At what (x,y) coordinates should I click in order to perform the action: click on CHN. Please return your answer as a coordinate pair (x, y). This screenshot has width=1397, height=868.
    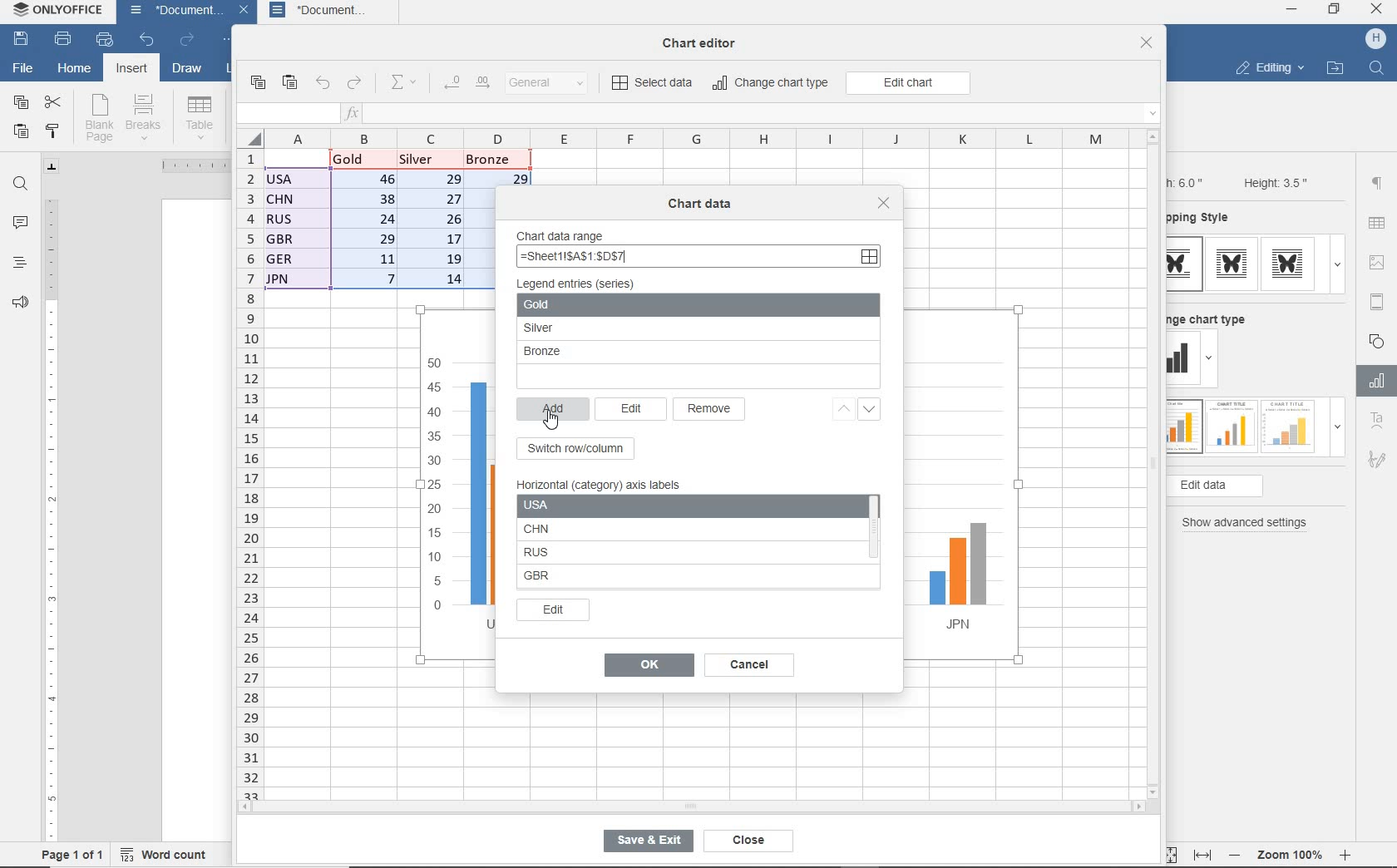
    Looking at the image, I should click on (672, 528).